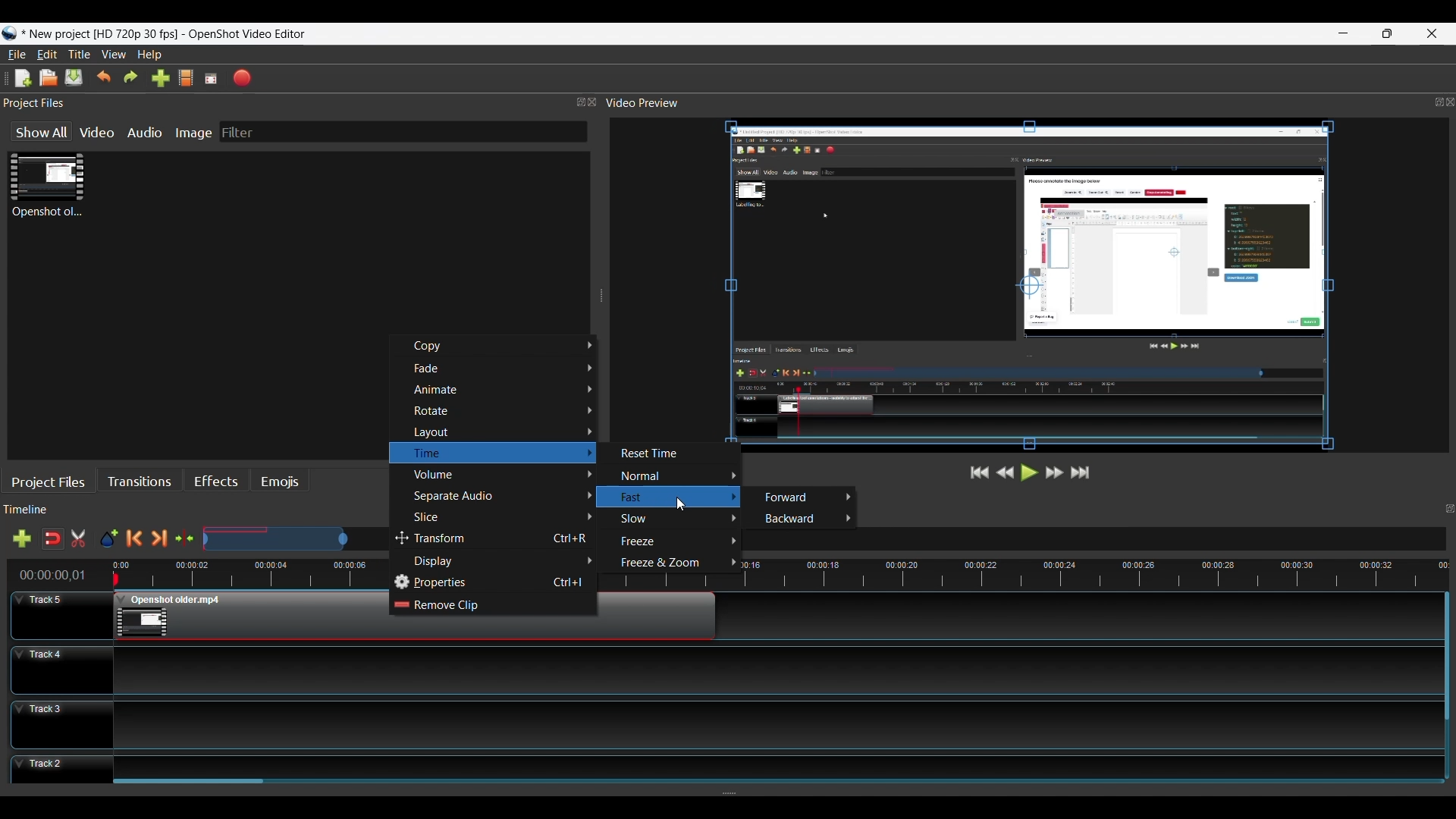 The width and height of the screenshot is (1456, 819). Describe the element at coordinates (138, 482) in the screenshot. I see `Transitions` at that location.